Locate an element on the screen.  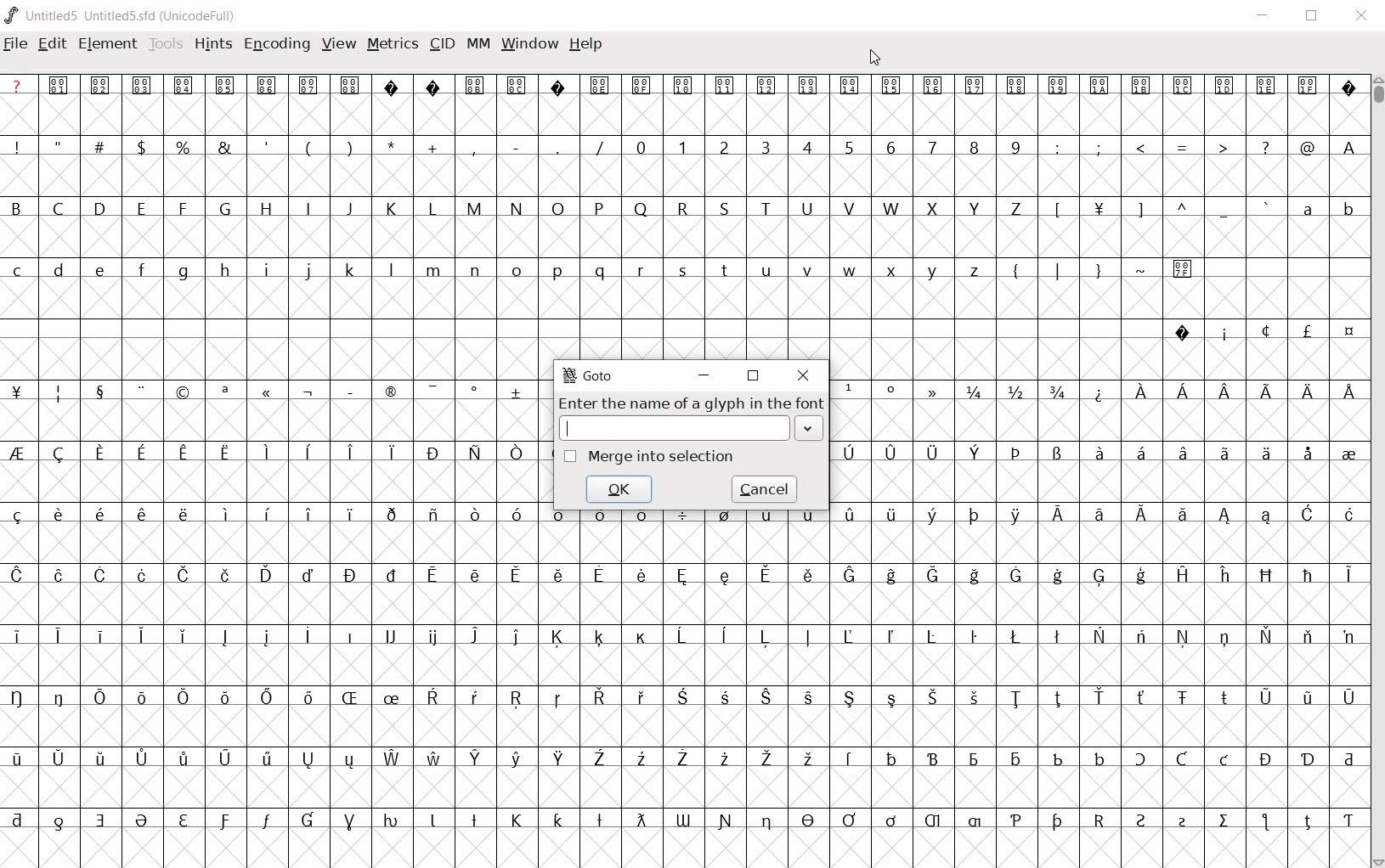
Symbol is located at coordinates (975, 697).